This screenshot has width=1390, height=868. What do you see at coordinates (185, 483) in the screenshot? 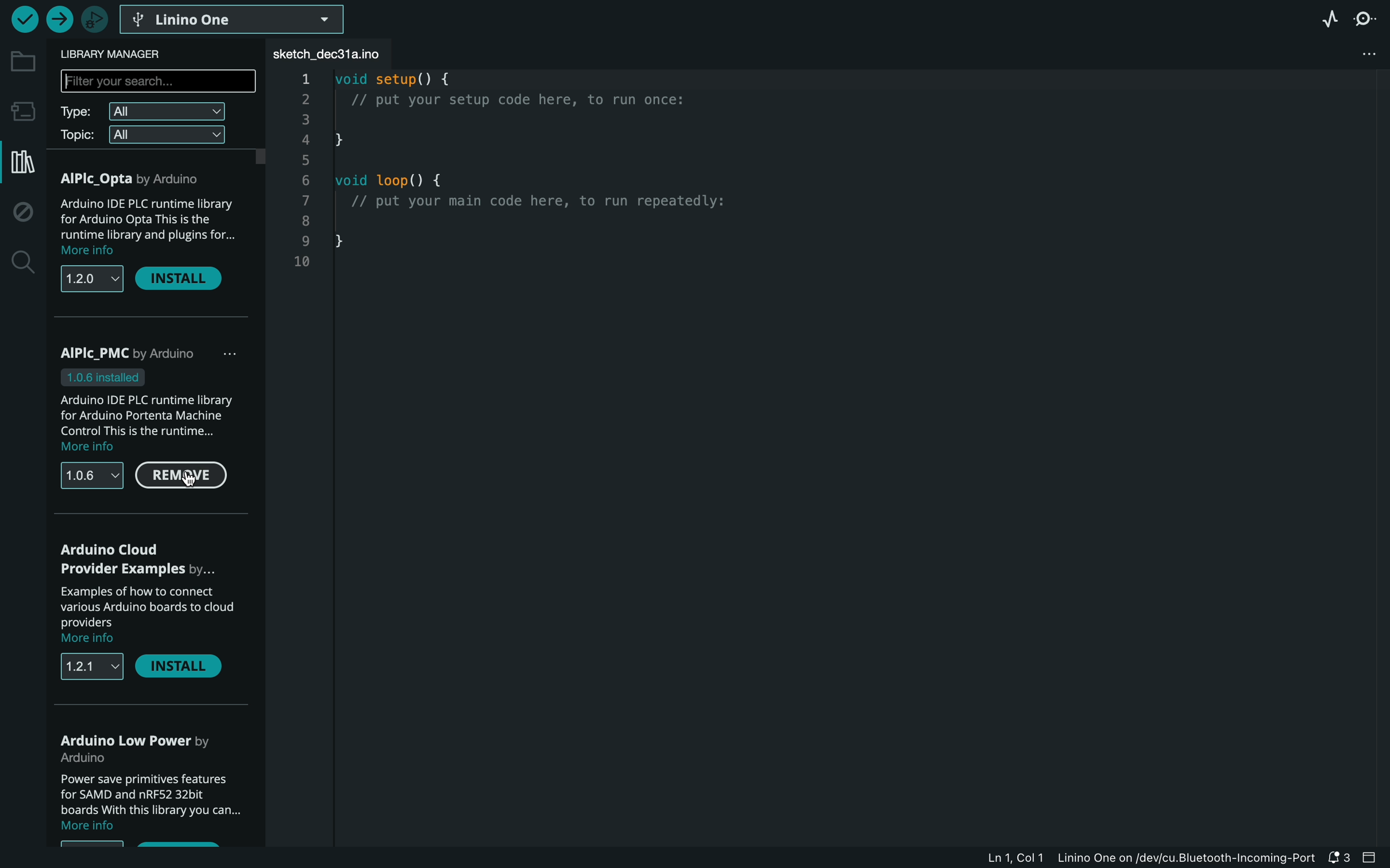
I see `cursor` at bounding box center [185, 483].